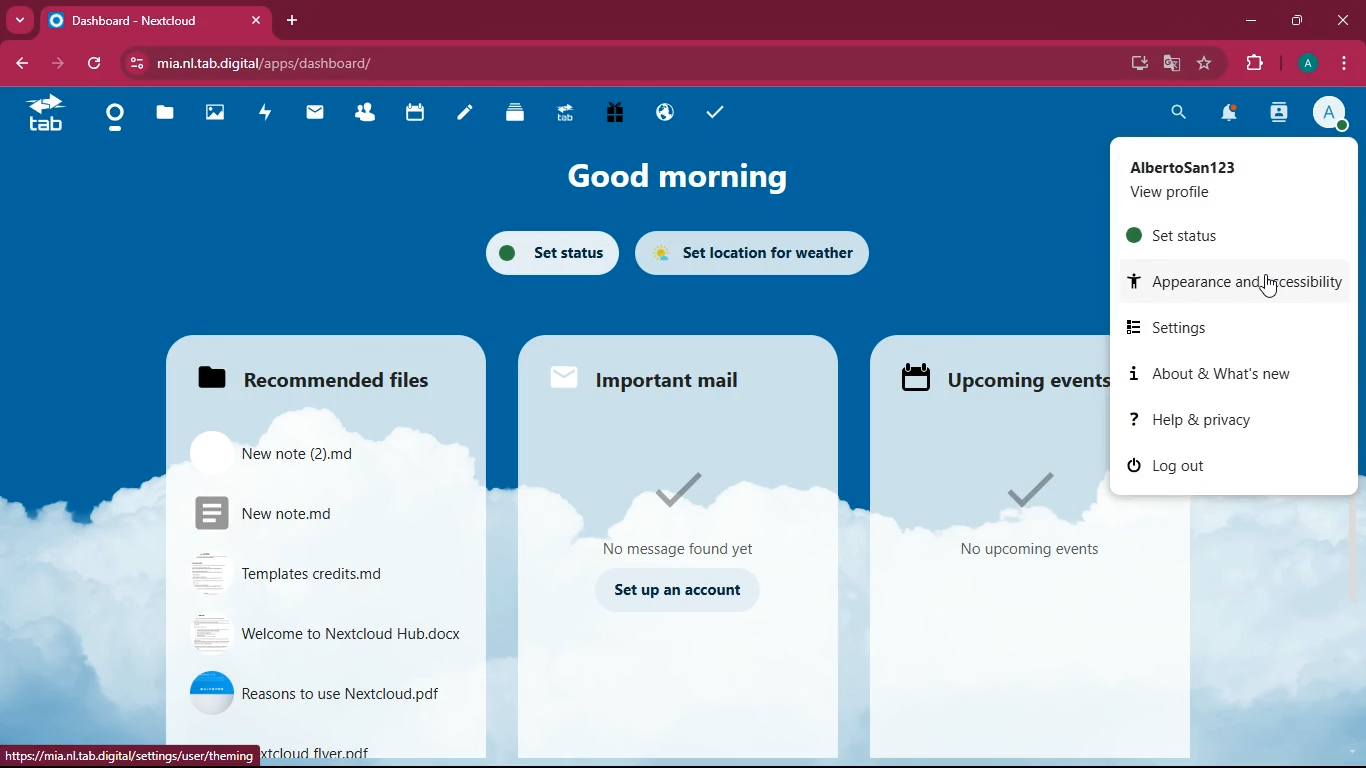  What do you see at coordinates (1176, 64) in the screenshot?
I see `google translate` at bounding box center [1176, 64].